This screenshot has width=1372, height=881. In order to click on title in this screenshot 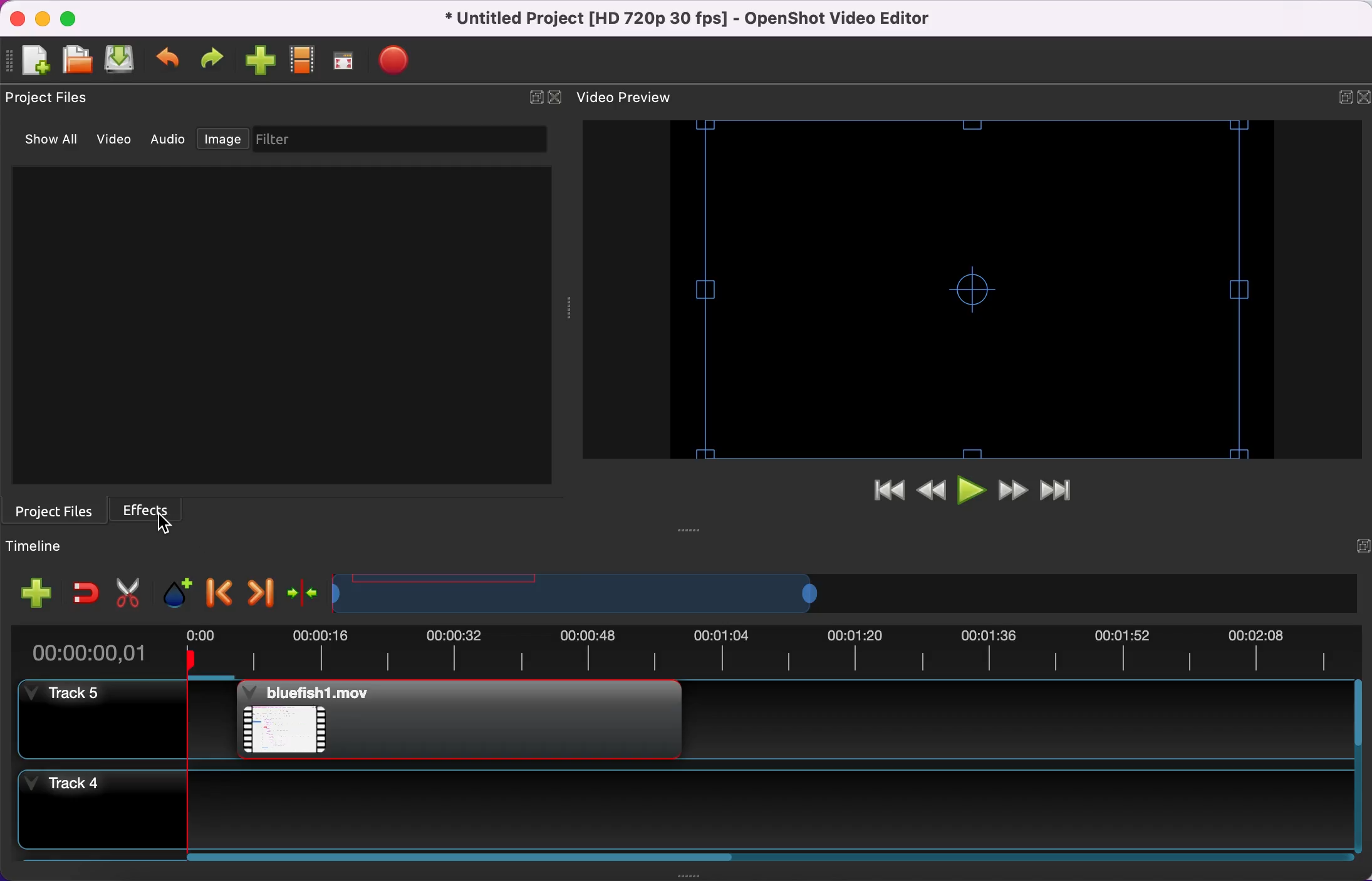, I will do `click(700, 19)`.